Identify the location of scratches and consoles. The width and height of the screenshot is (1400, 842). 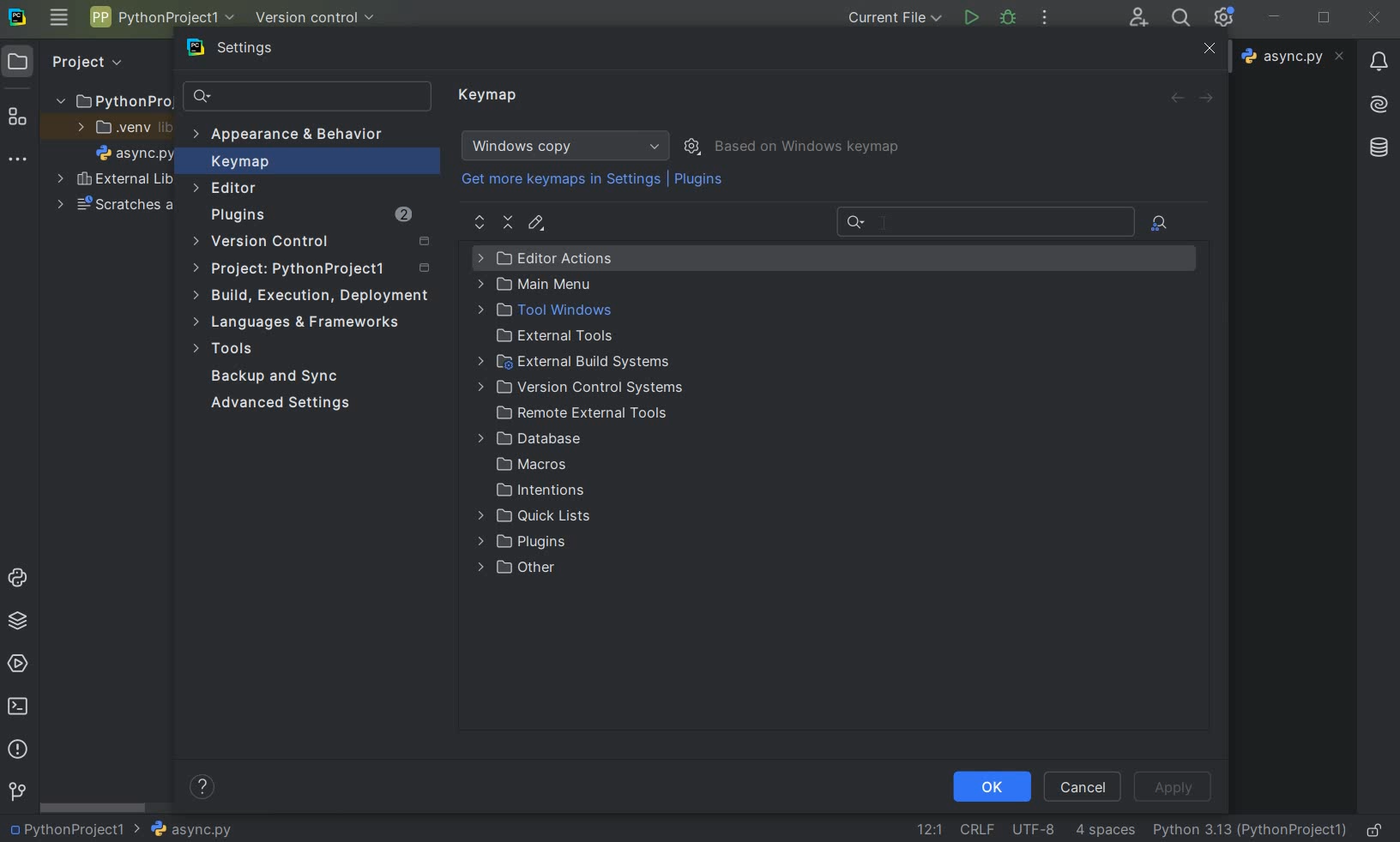
(115, 207).